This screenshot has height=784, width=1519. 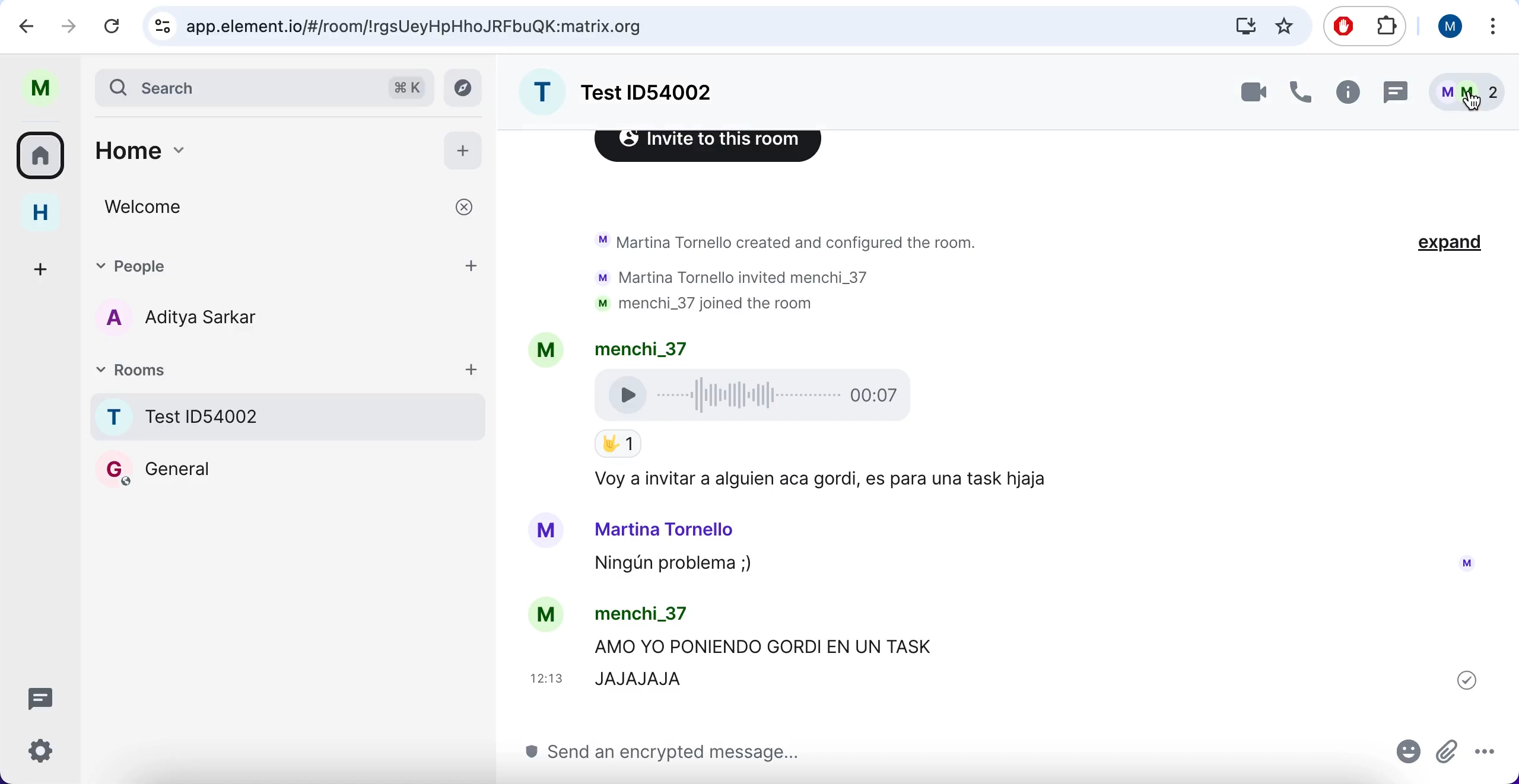 I want to click on add, so click(x=463, y=149).